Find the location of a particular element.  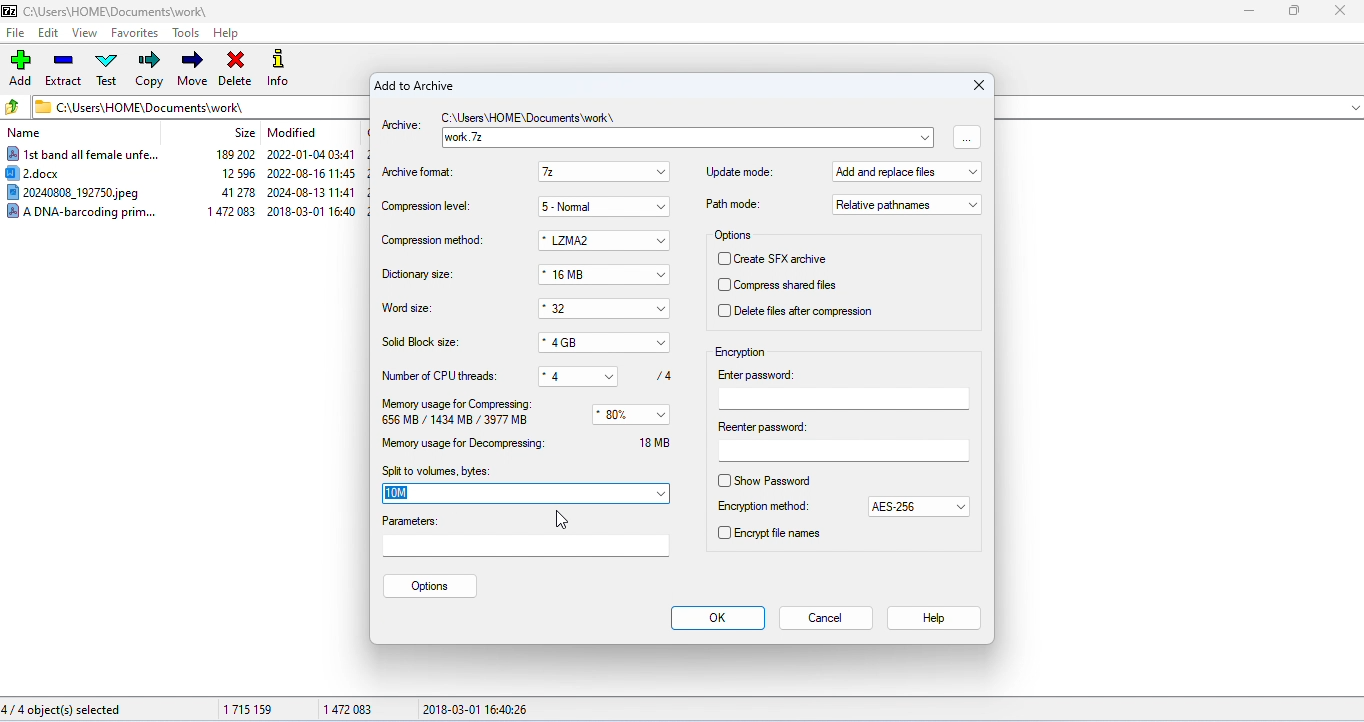

relative parameters is located at coordinates (907, 204).